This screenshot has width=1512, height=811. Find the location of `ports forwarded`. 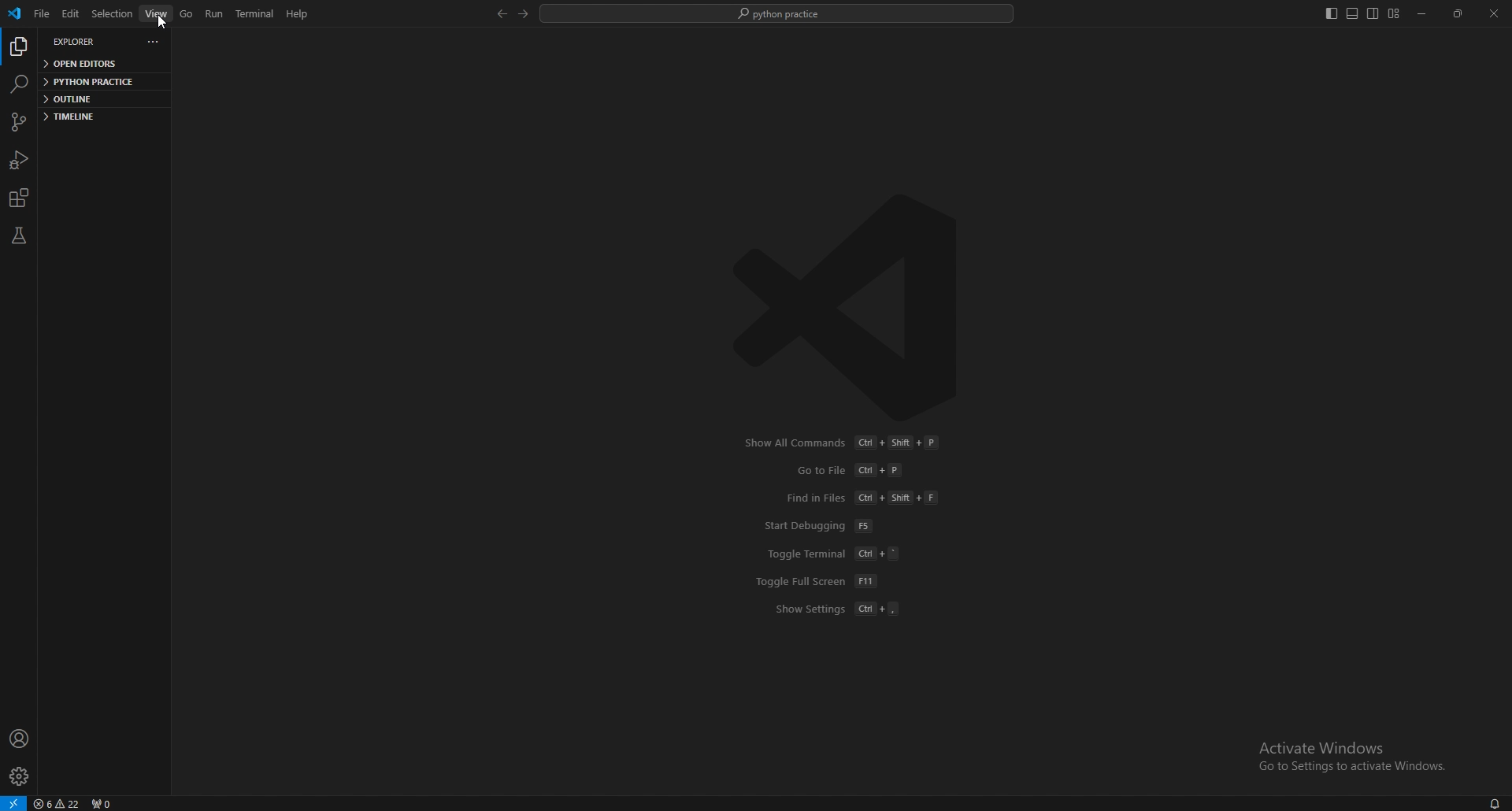

ports forwarded is located at coordinates (102, 803).